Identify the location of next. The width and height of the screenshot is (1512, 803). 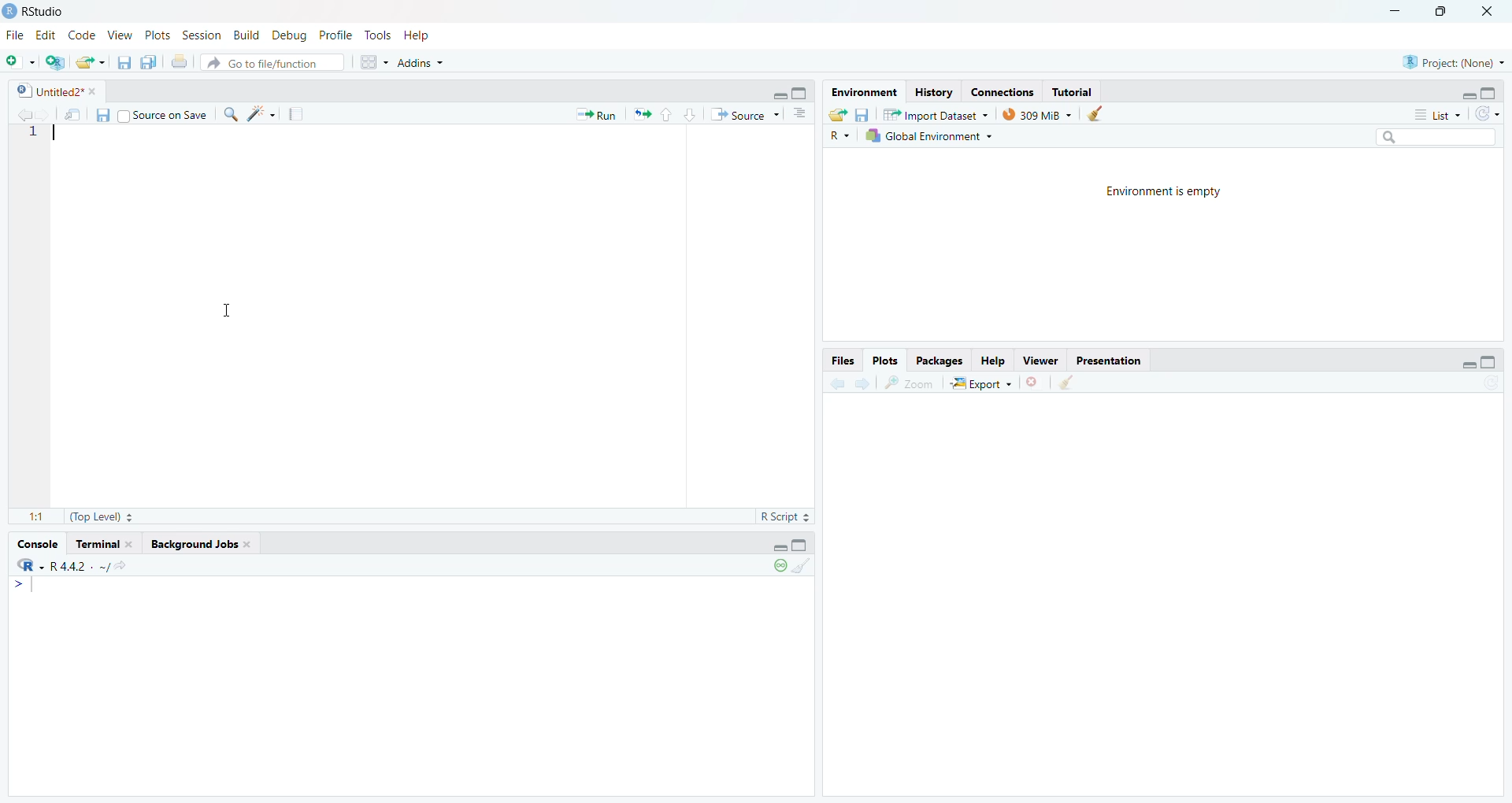
(865, 385).